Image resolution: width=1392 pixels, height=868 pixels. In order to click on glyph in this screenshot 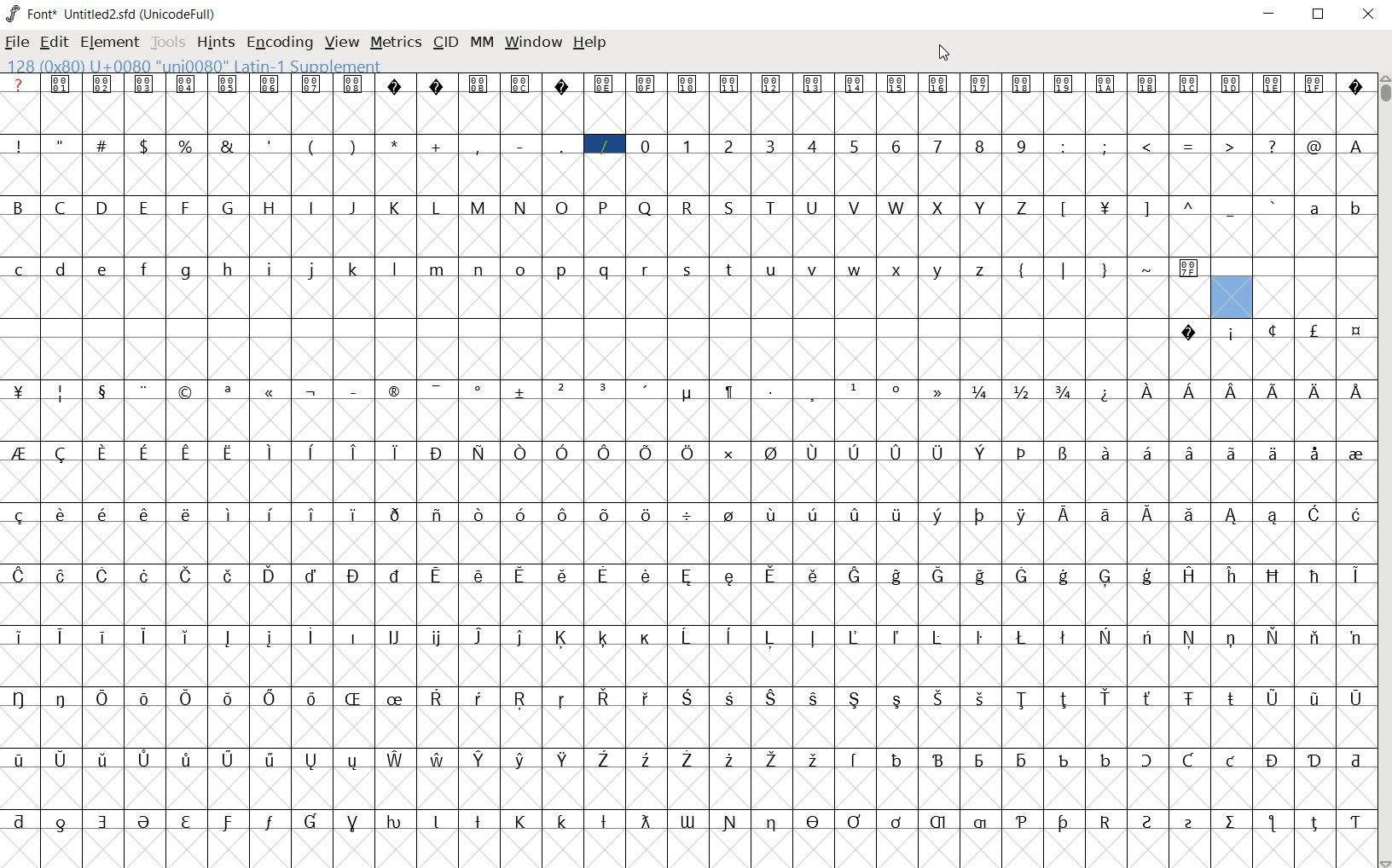, I will do `click(938, 760)`.